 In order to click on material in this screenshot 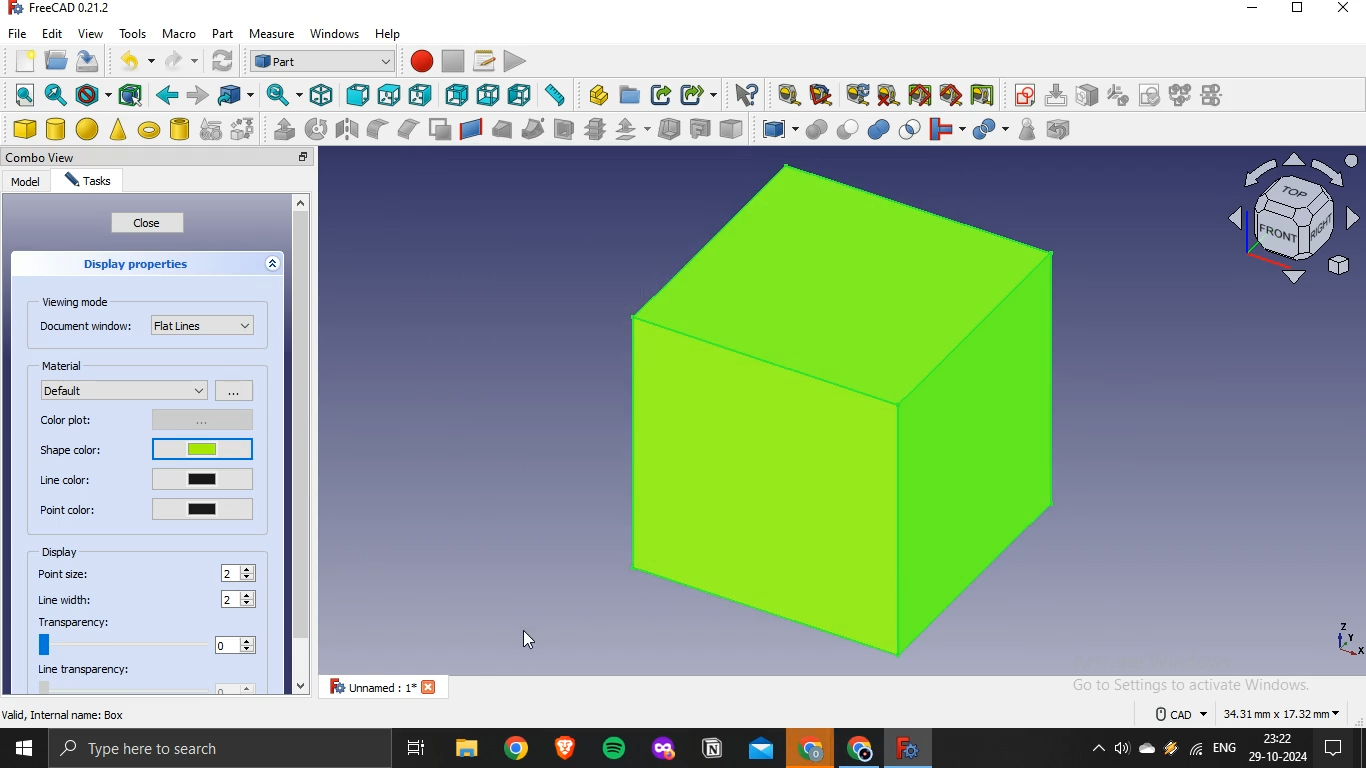, I will do `click(66, 365)`.